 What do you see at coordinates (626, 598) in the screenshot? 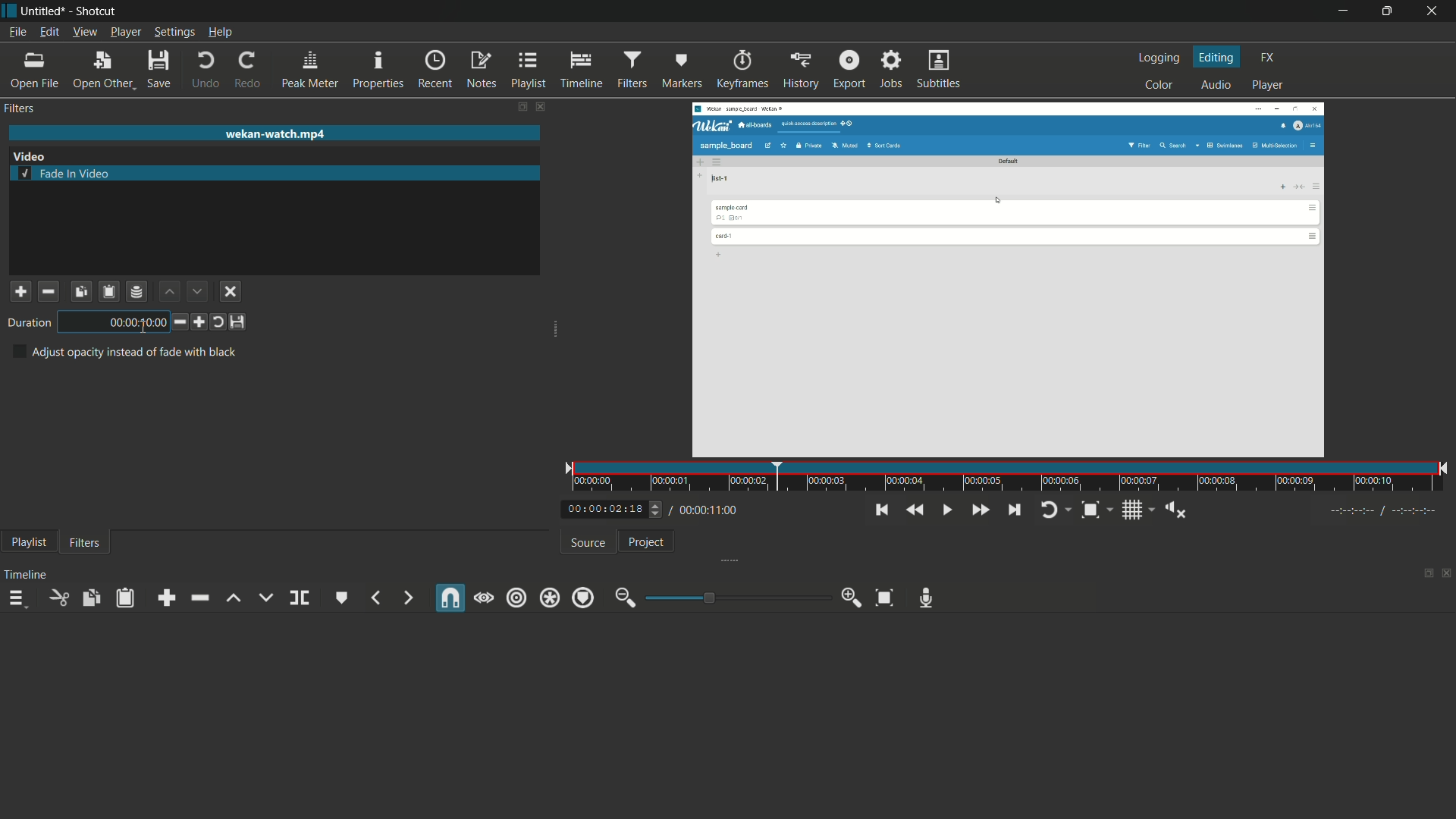
I see `zoom out` at bounding box center [626, 598].